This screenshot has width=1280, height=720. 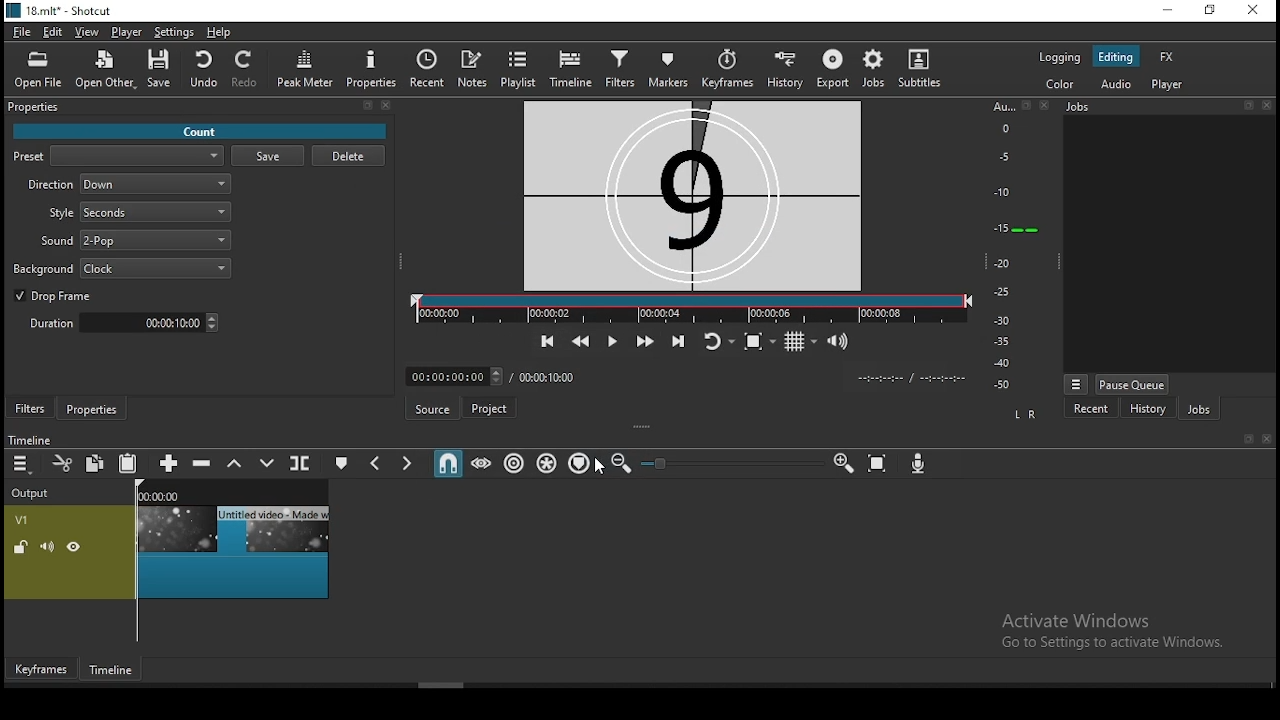 What do you see at coordinates (618, 70) in the screenshot?
I see `filters` at bounding box center [618, 70].